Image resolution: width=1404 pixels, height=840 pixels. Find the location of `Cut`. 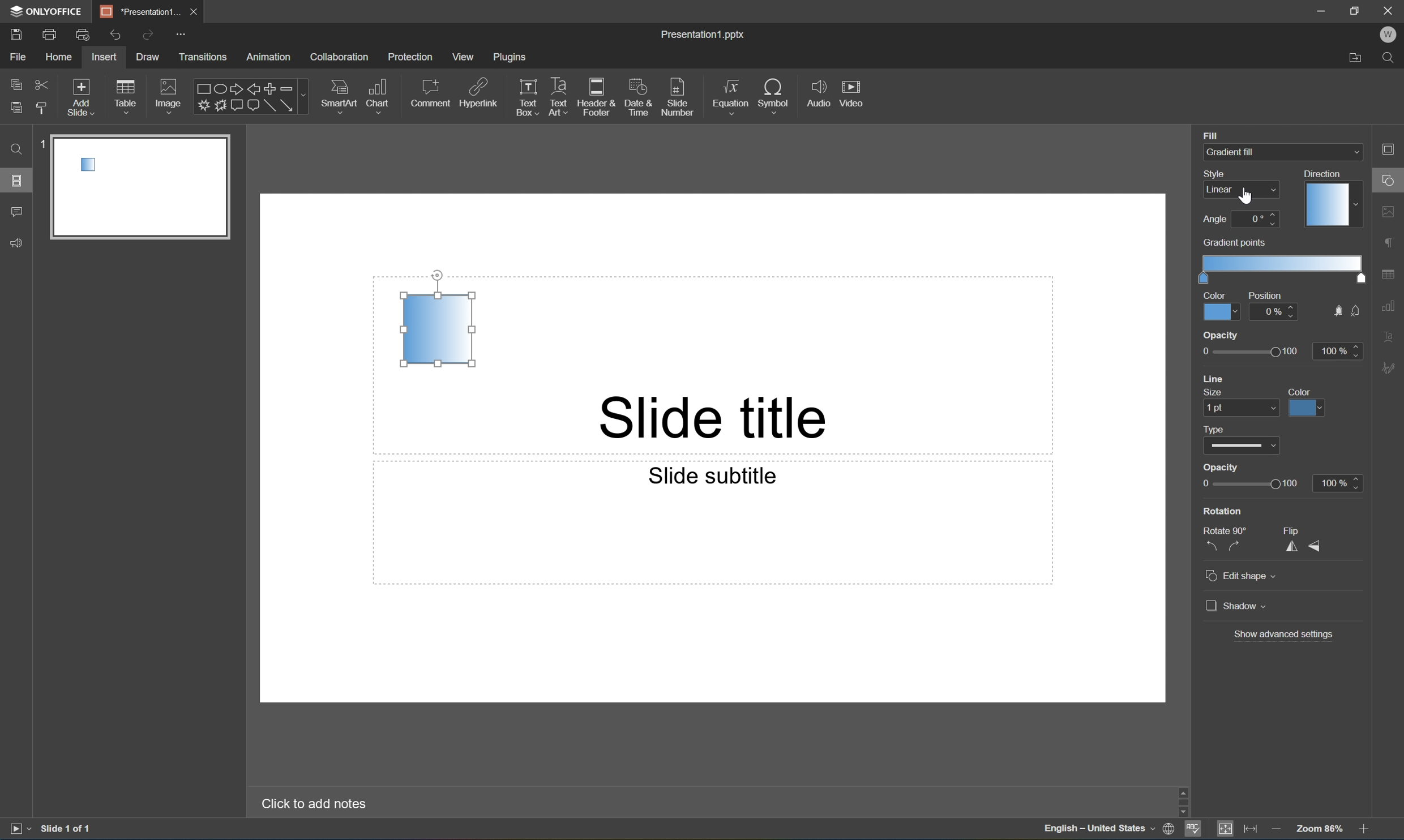

Cut is located at coordinates (42, 84).